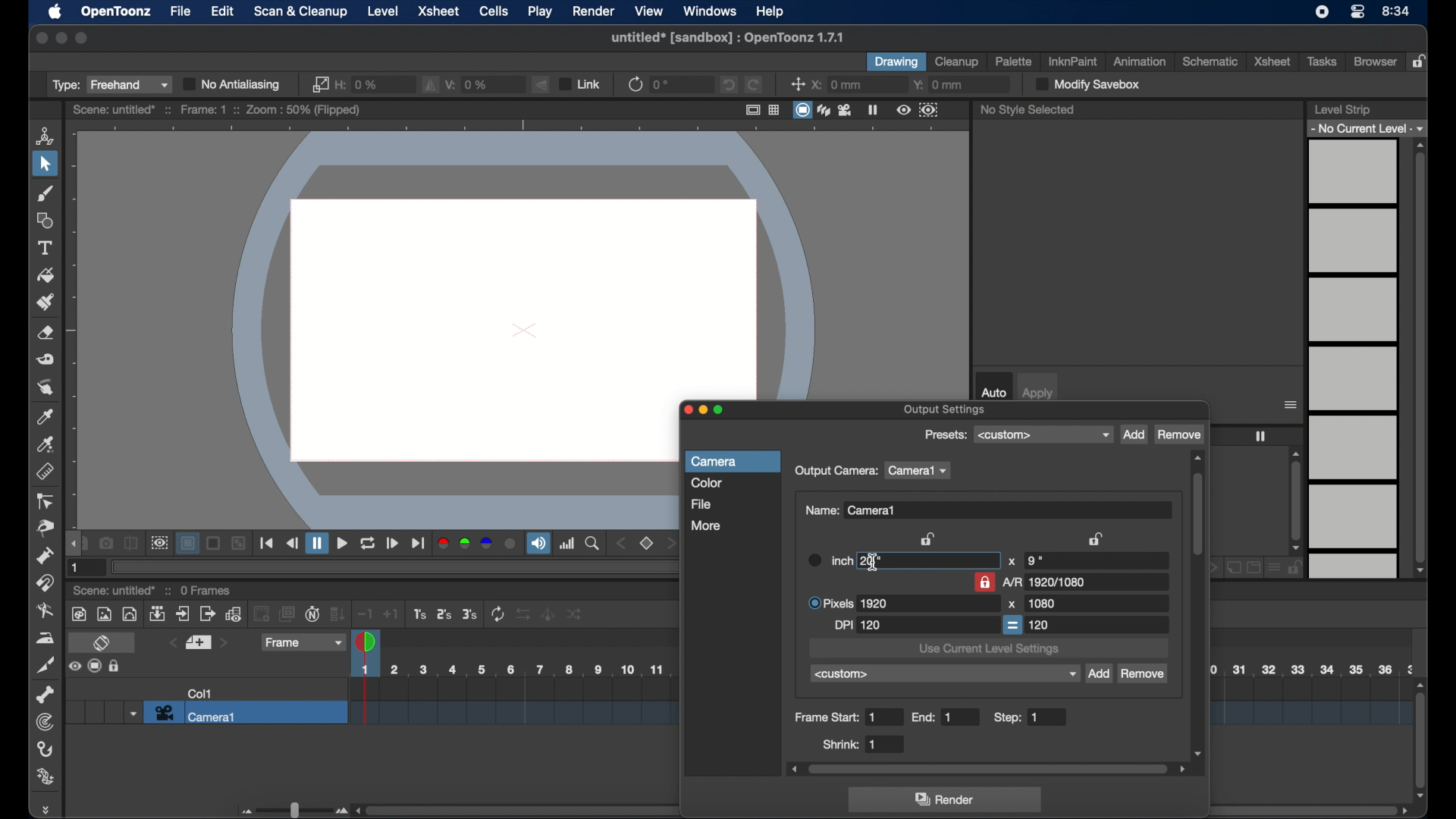 The height and width of the screenshot is (819, 1456). I want to click on x, so click(1012, 562).